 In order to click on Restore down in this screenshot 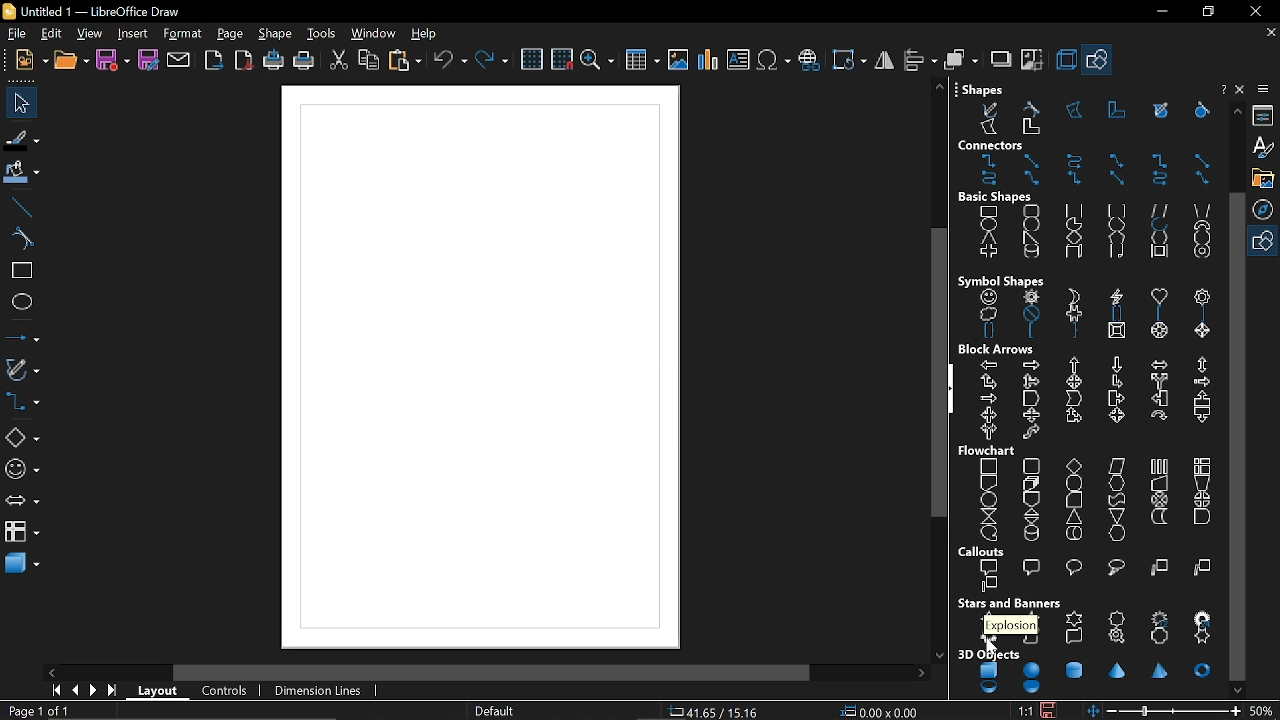, I will do `click(1206, 13)`.